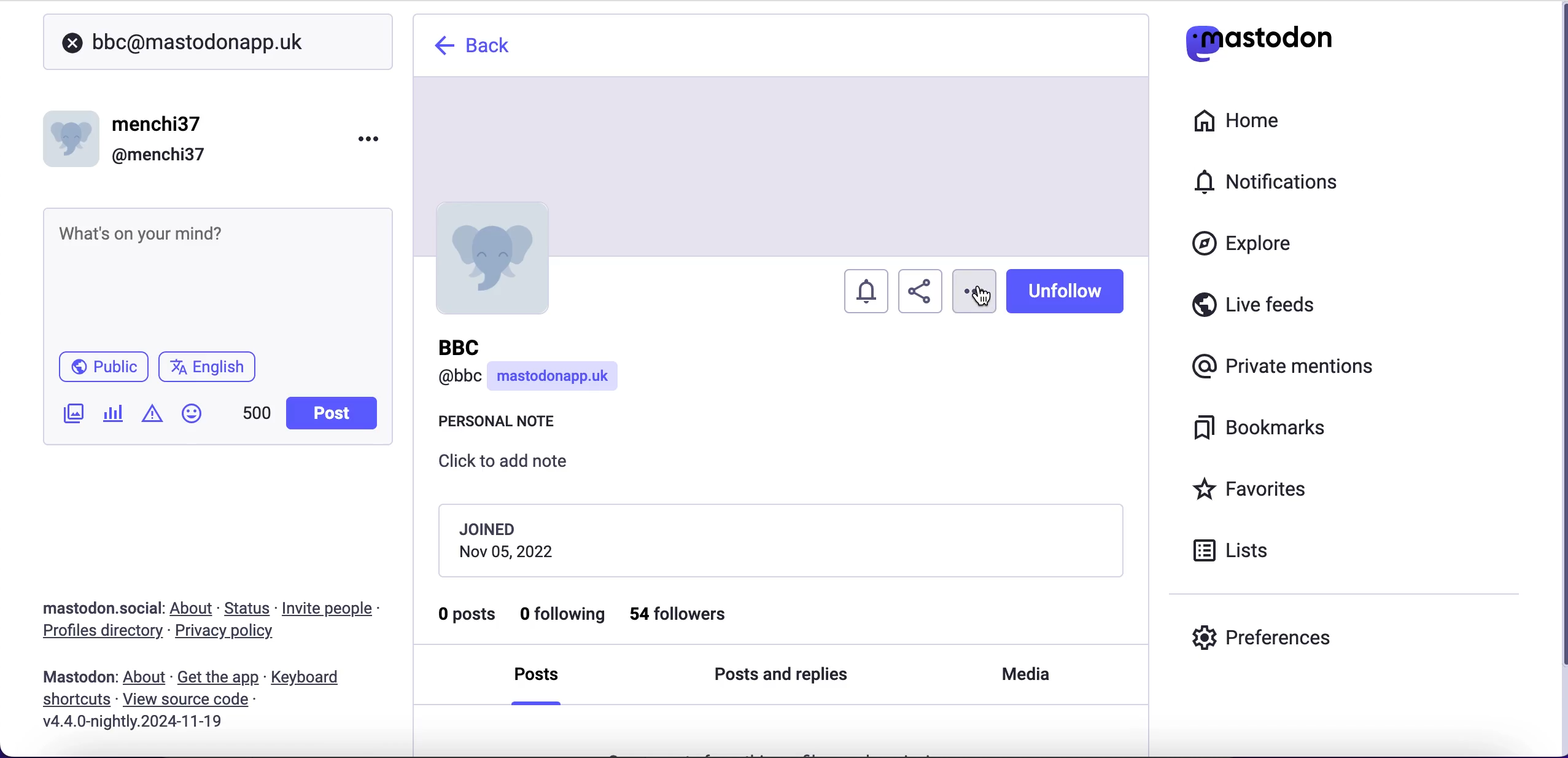  Describe the element at coordinates (79, 677) in the screenshot. I see `mastodon` at that location.